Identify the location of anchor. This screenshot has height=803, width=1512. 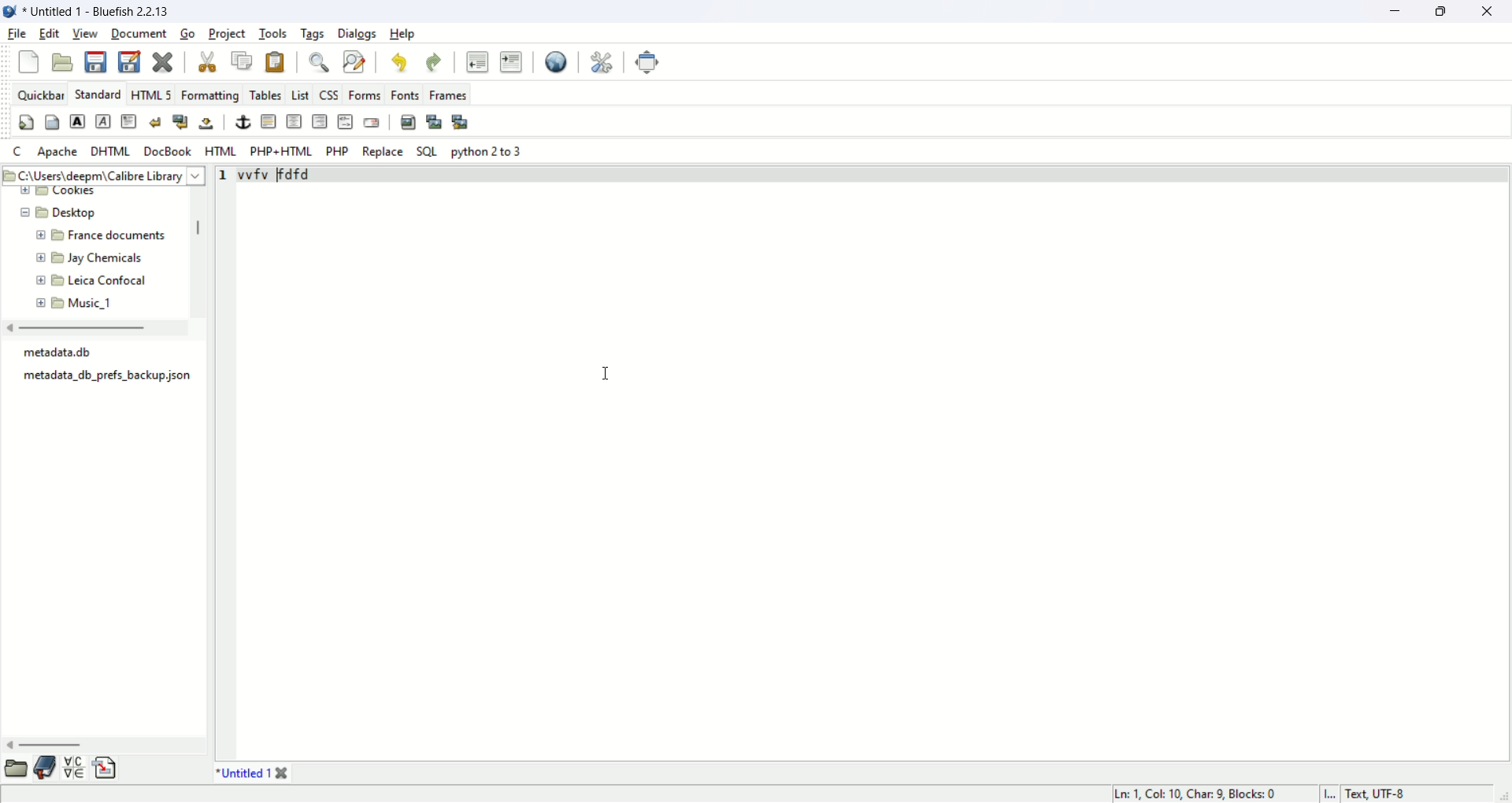
(241, 122).